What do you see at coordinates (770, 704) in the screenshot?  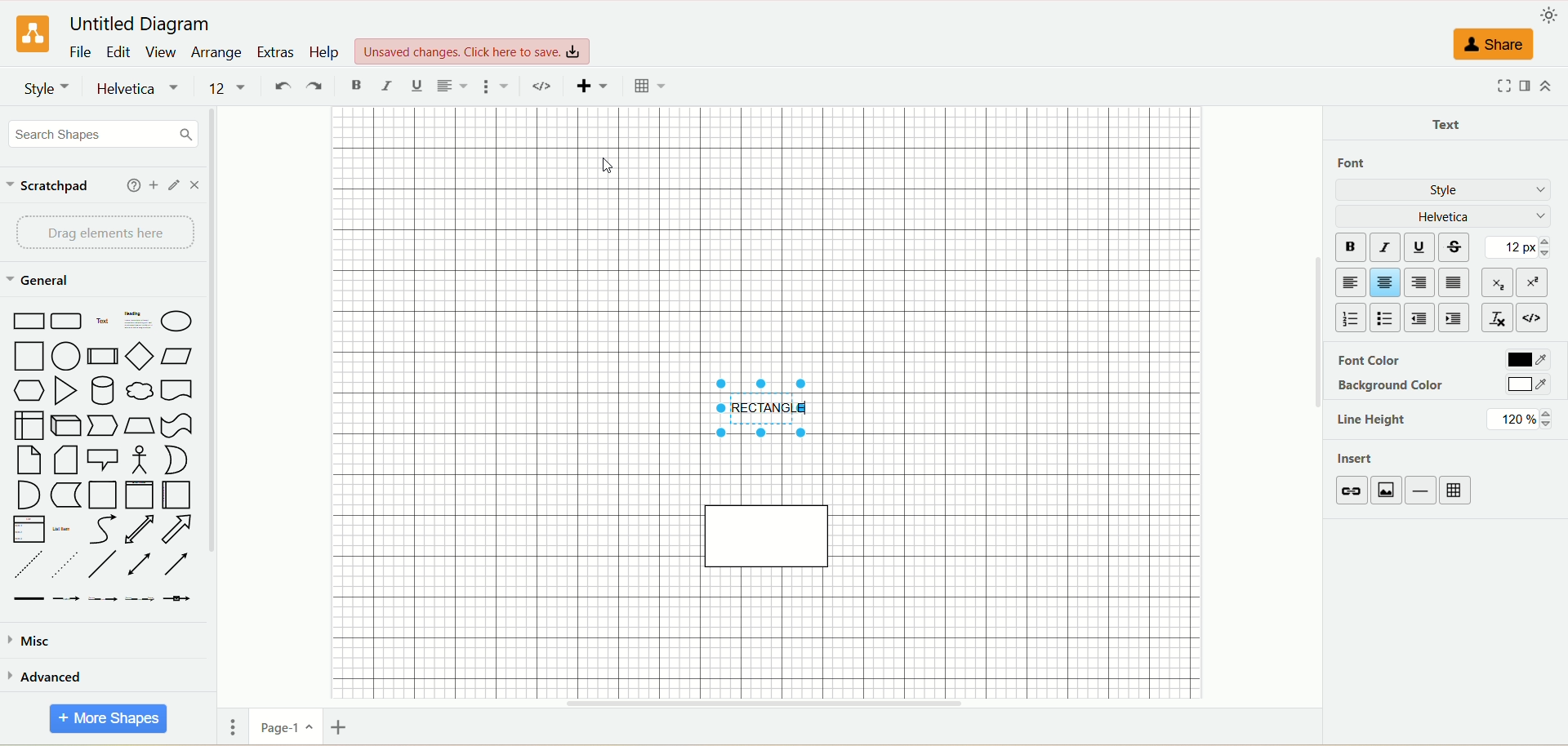 I see `horizontal scroll bar` at bounding box center [770, 704].